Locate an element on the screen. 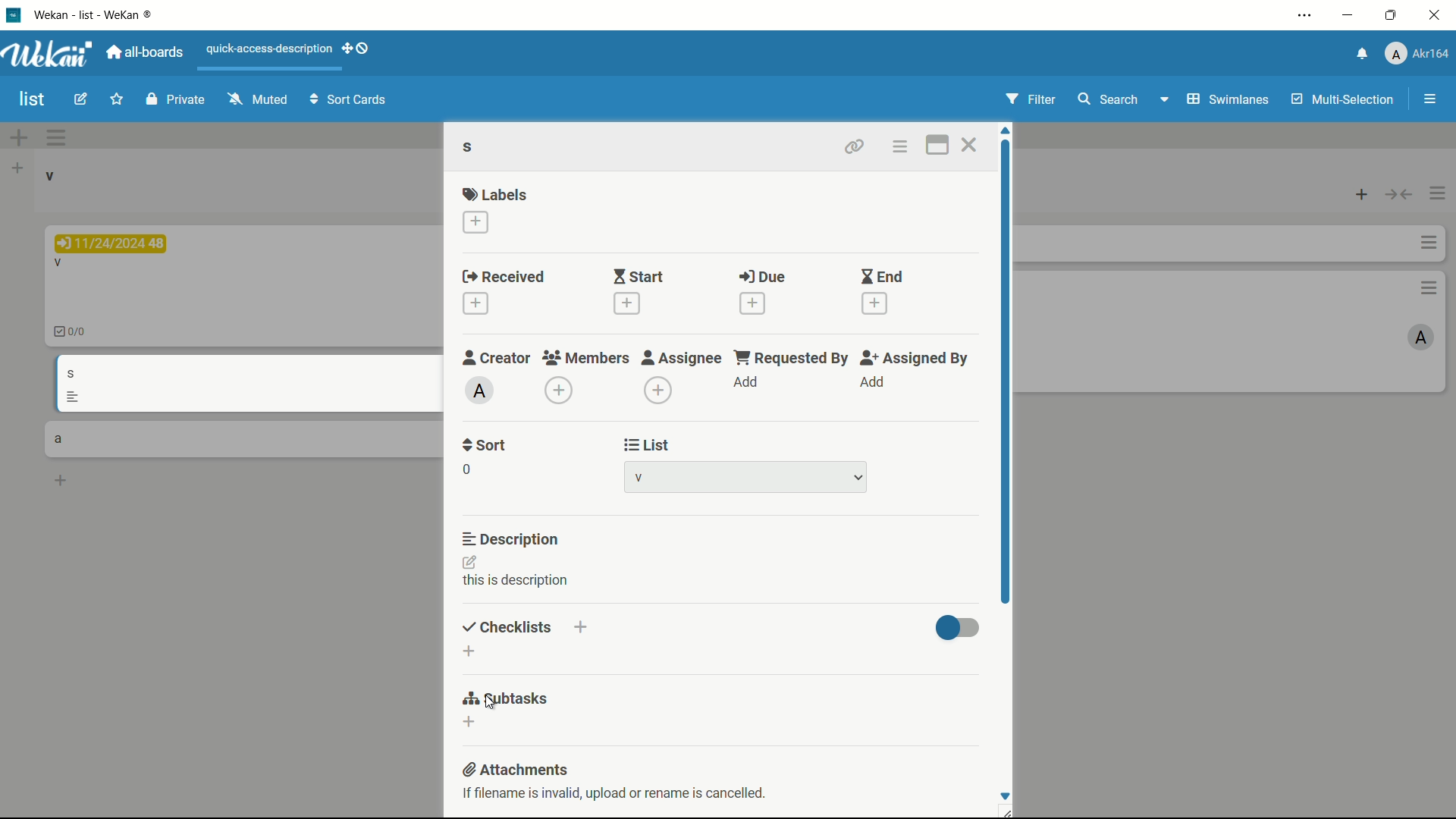 The width and height of the screenshot is (1456, 819). all boards is located at coordinates (144, 52).